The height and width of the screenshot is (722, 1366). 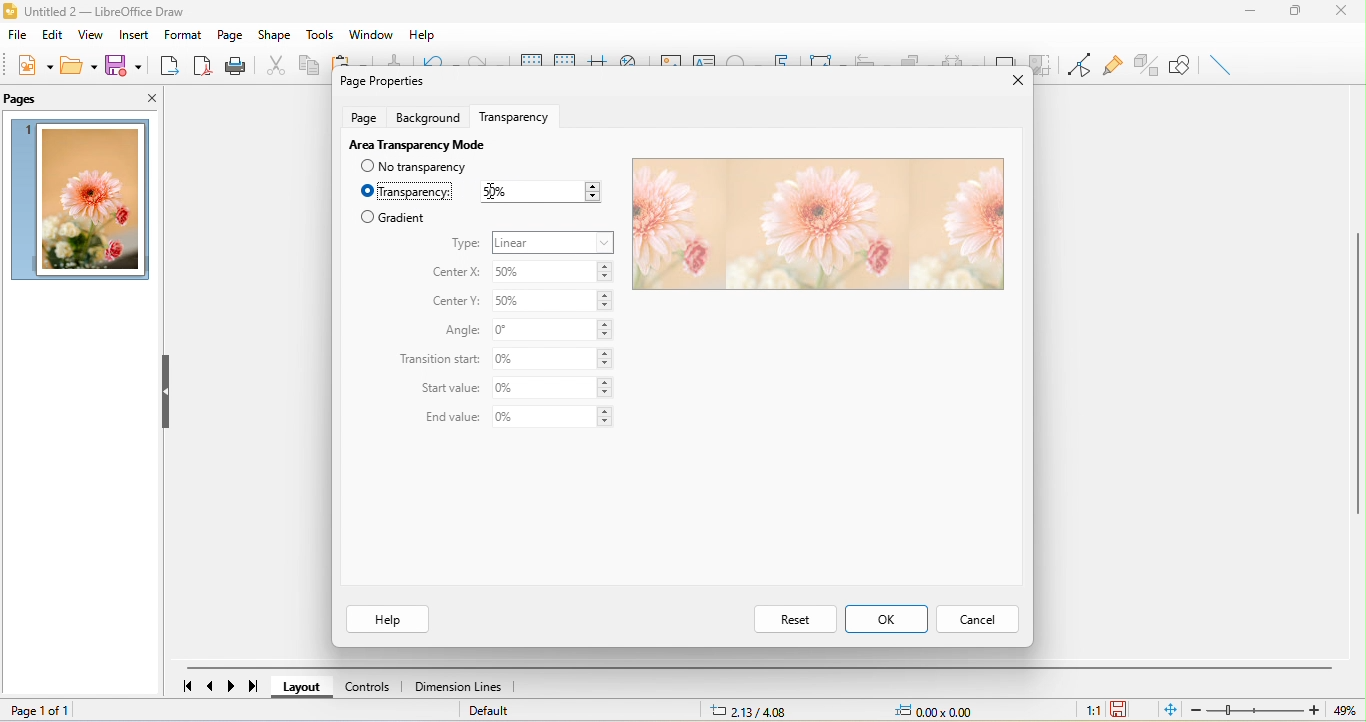 What do you see at coordinates (165, 63) in the screenshot?
I see `export` at bounding box center [165, 63].